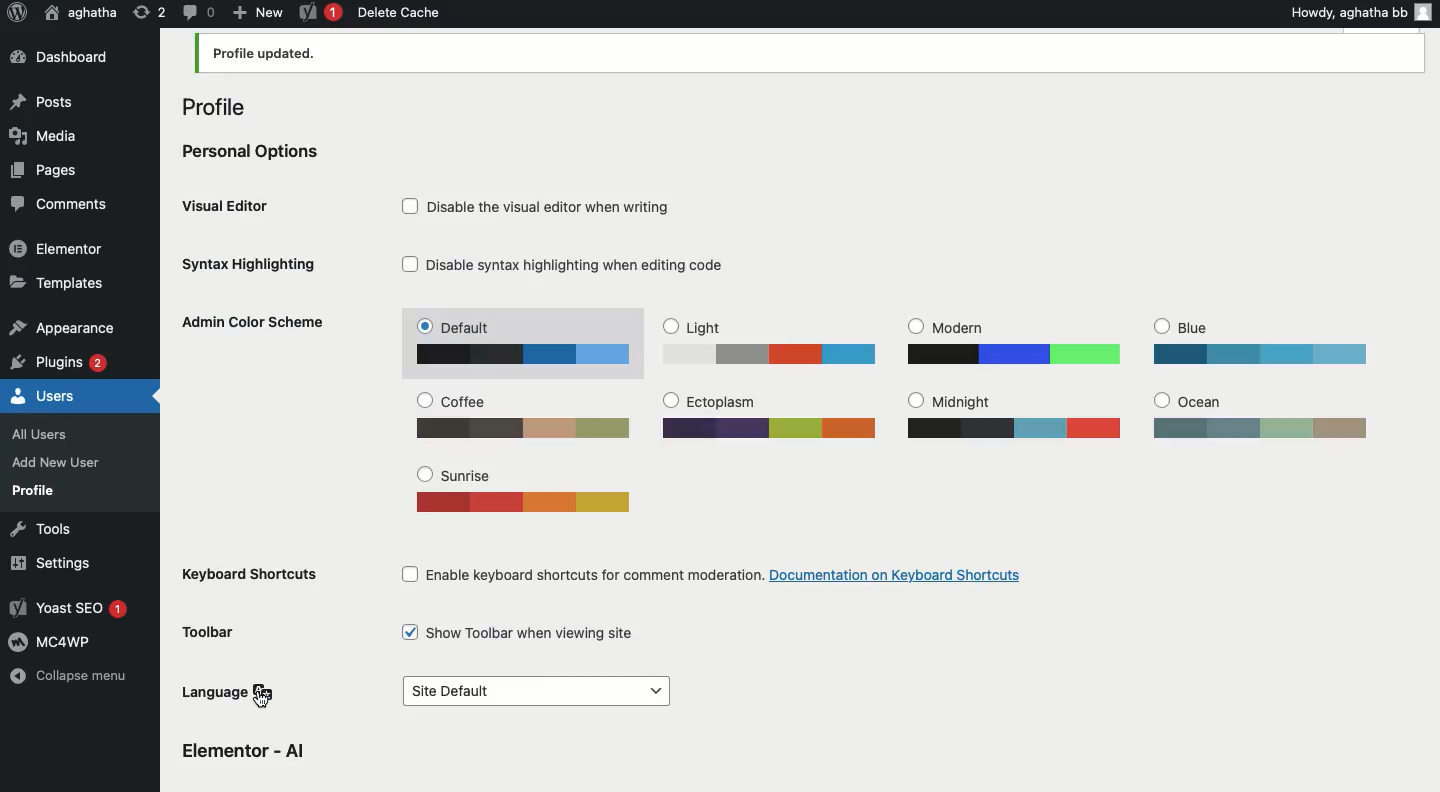 Image resolution: width=1440 pixels, height=792 pixels. Describe the element at coordinates (54, 462) in the screenshot. I see `Add New User` at that location.